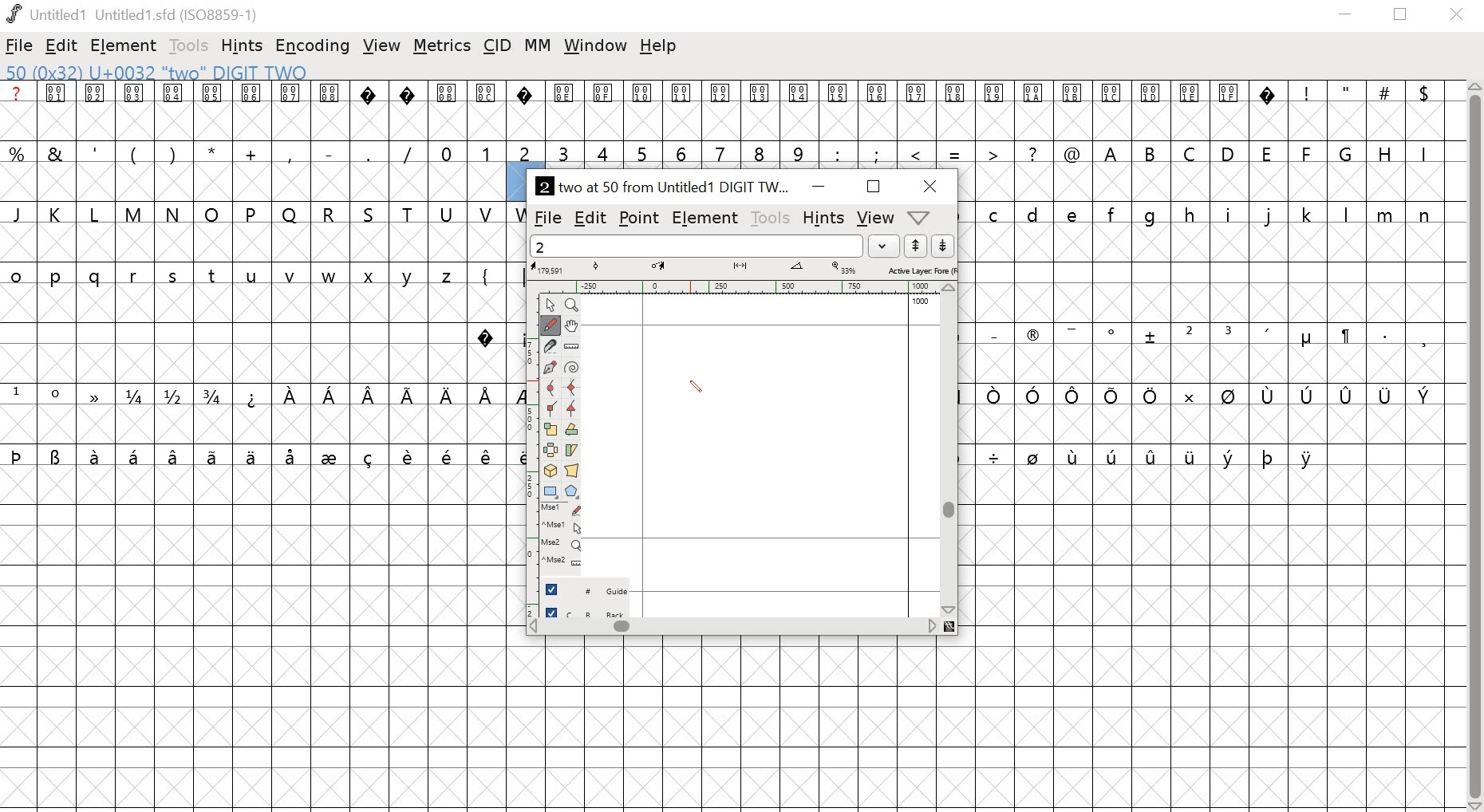 This screenshot has height=812, width=1484. Describe the element at coordinates (189, 46) in the screenshot. I see `tools` at that location.